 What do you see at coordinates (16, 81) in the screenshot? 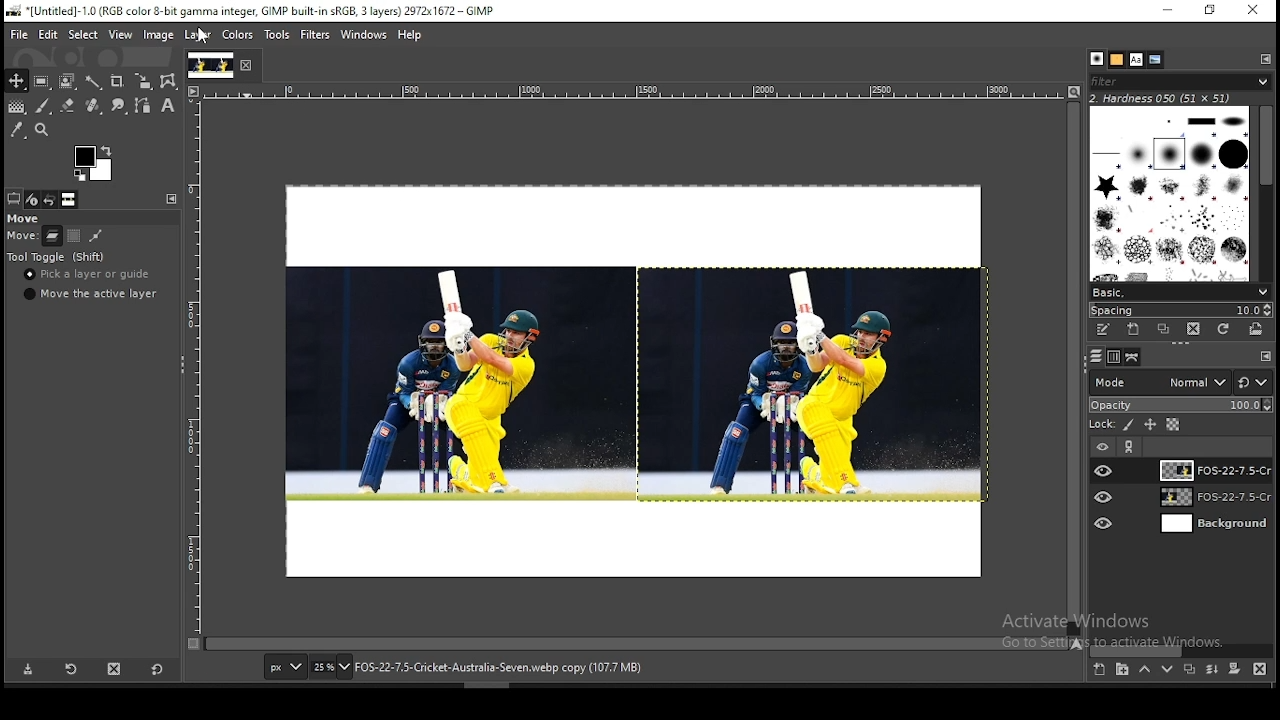
I see `move tool` at bounding box center [16, 81].